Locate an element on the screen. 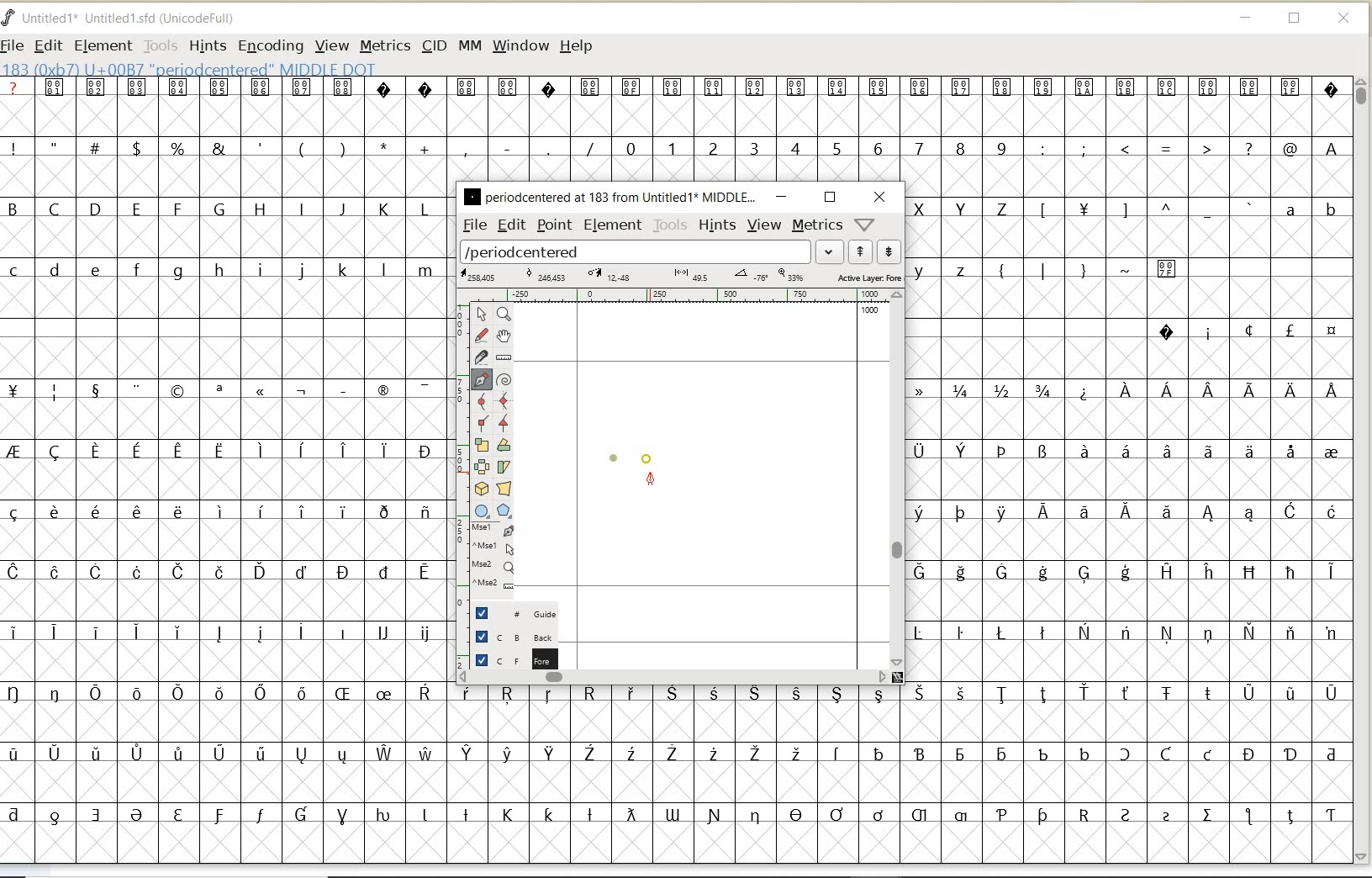 The height and width of the screenshot is (878, 1372). add a point, then drag out its control points is located at coordinates (482, 378).